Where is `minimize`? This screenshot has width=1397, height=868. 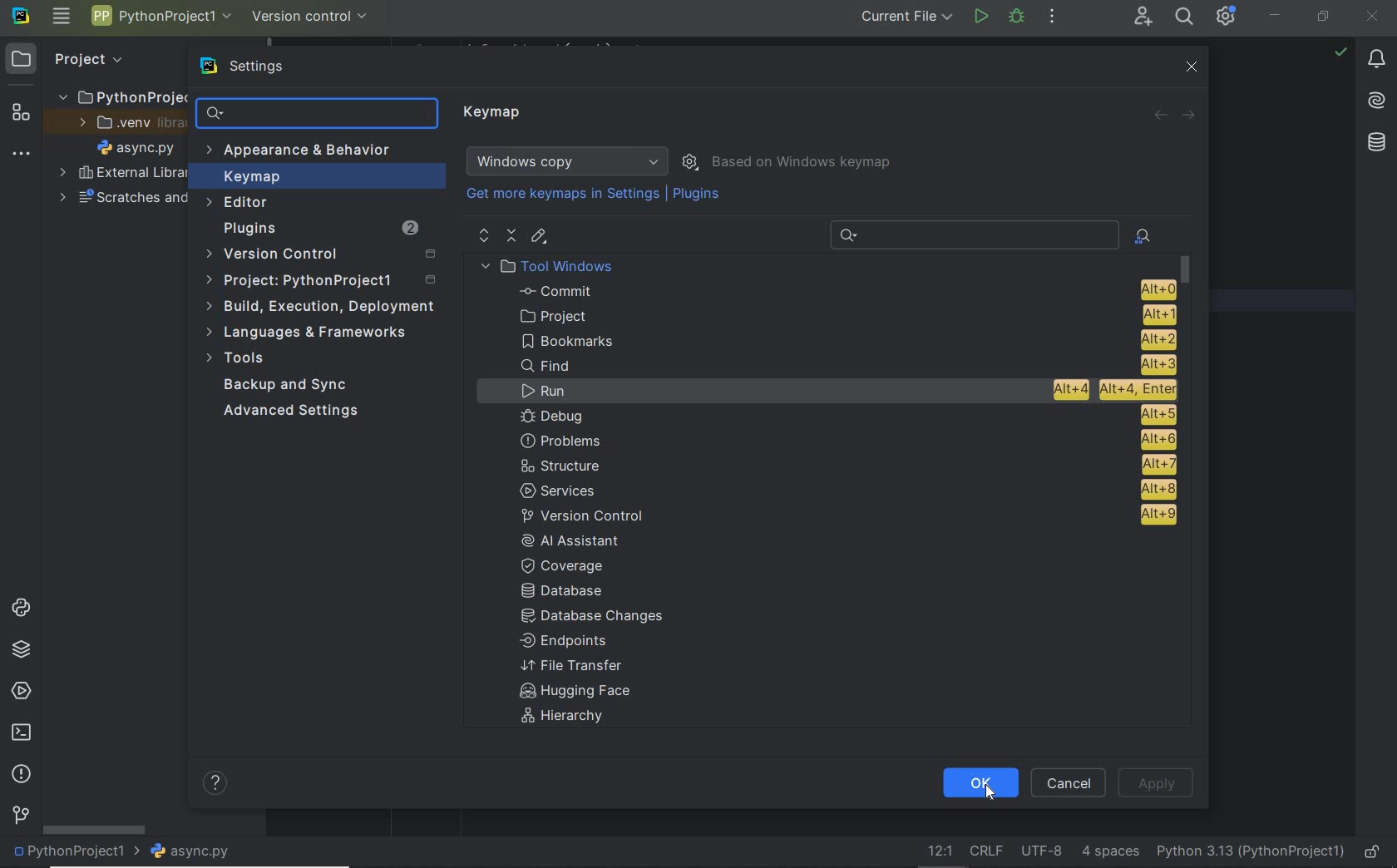 minimize is located at coordinates (1276, 15).